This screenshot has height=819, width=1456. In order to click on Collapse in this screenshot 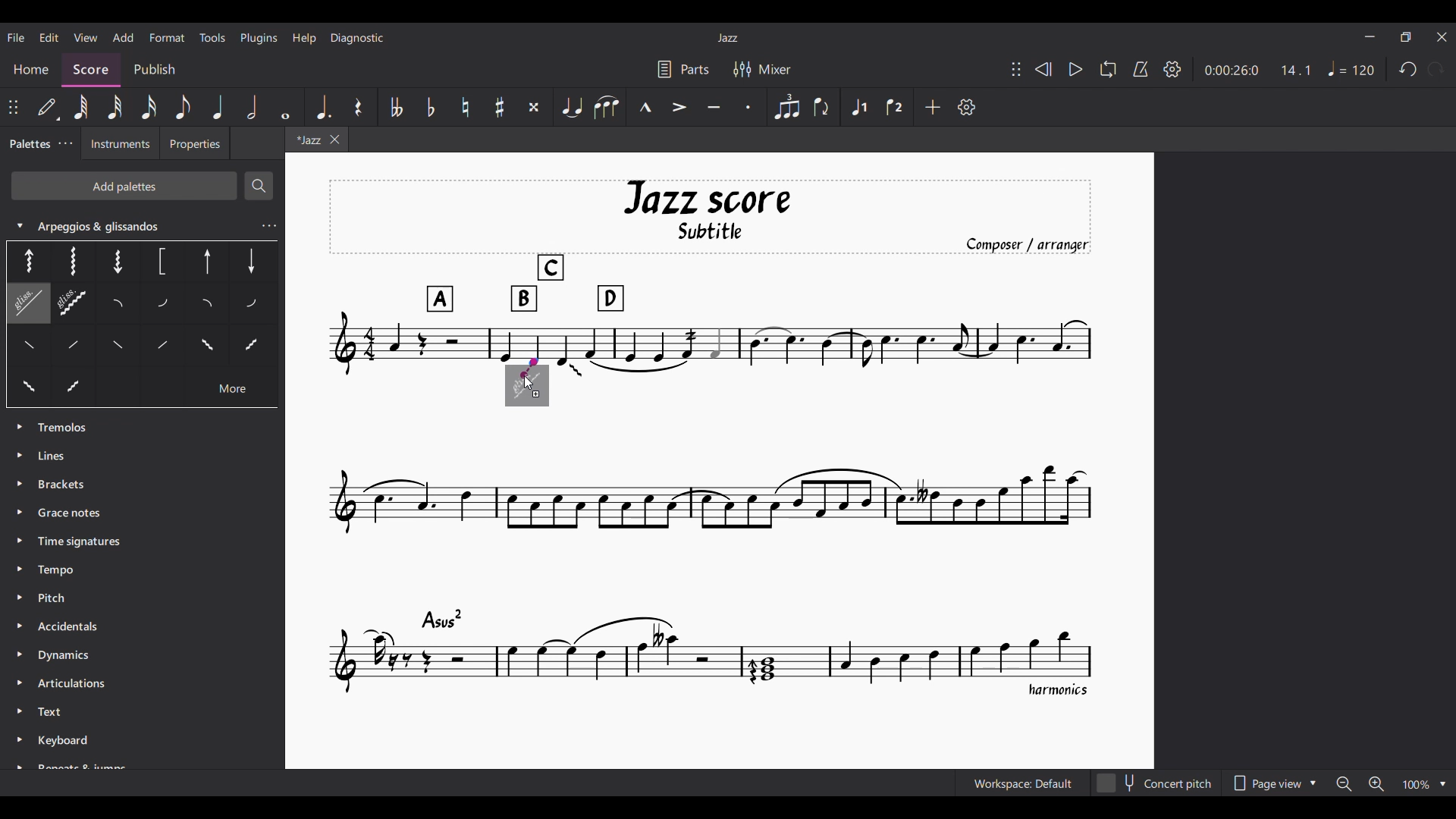, I will do `click(19, 225)`.